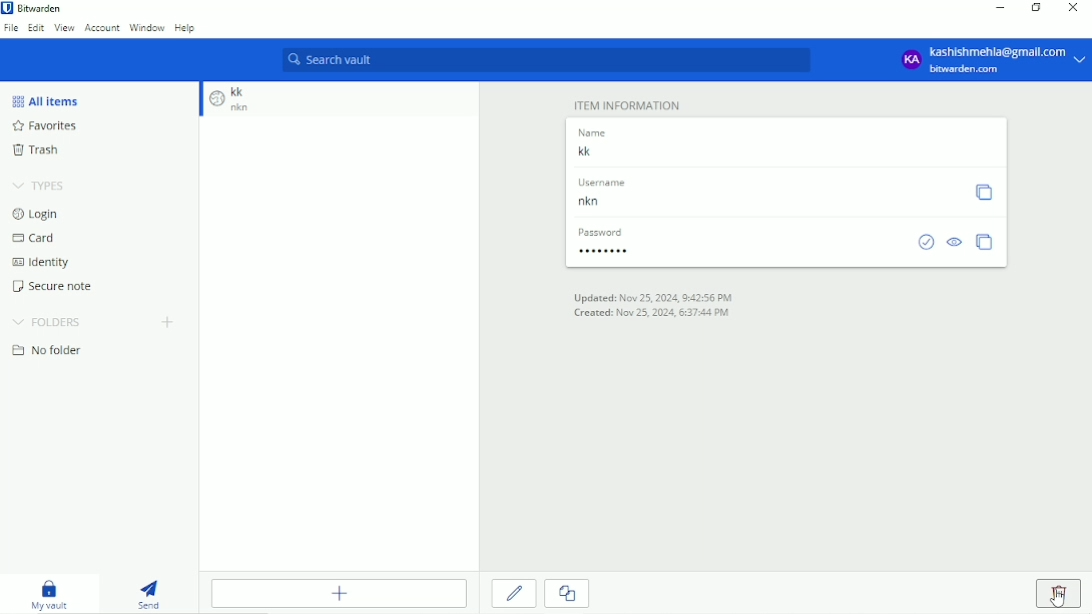 The width and height of the screenshot is (1092, 614). What do you see at coordinates (11, 28) in the screenshot?
I see `File` at bounding box center [11, 28].